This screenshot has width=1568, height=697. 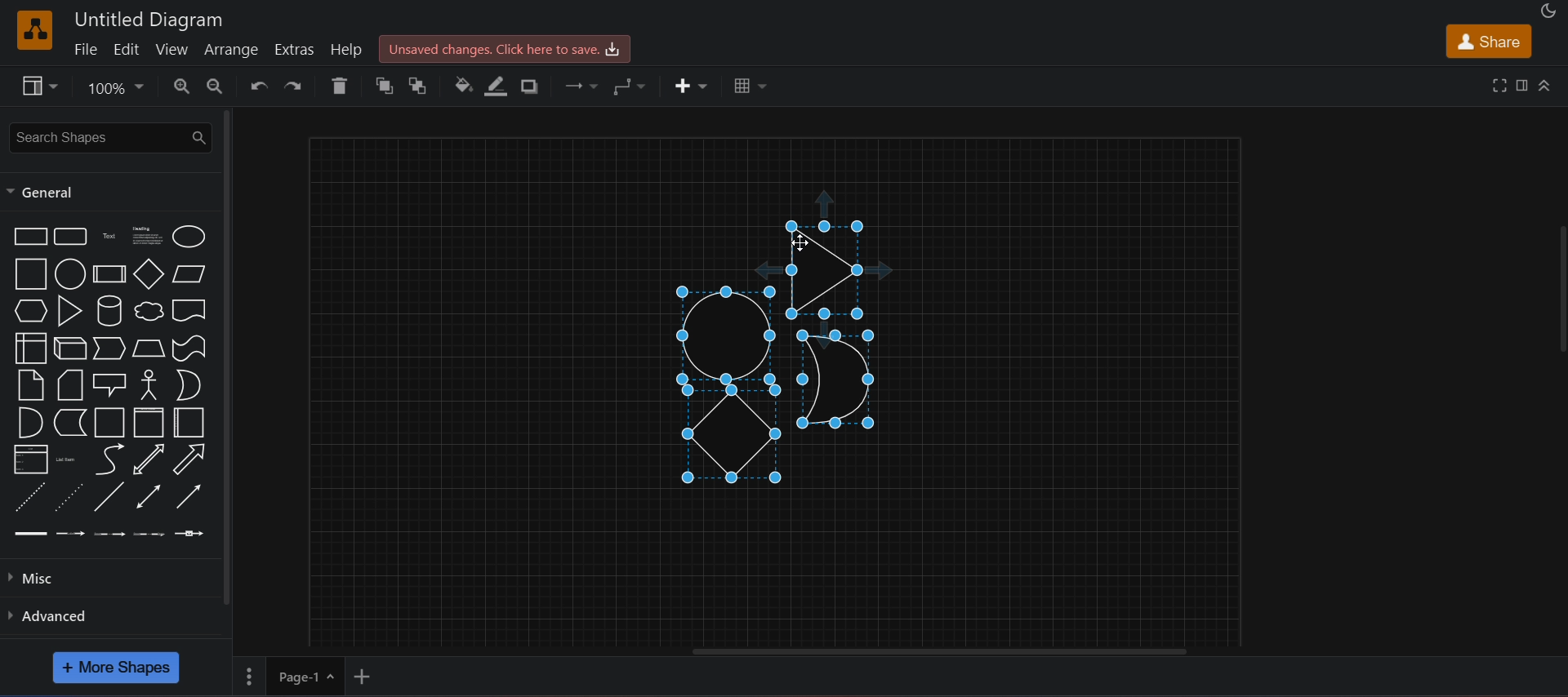 I want to click on waypoints, so click(x=637, y=87).